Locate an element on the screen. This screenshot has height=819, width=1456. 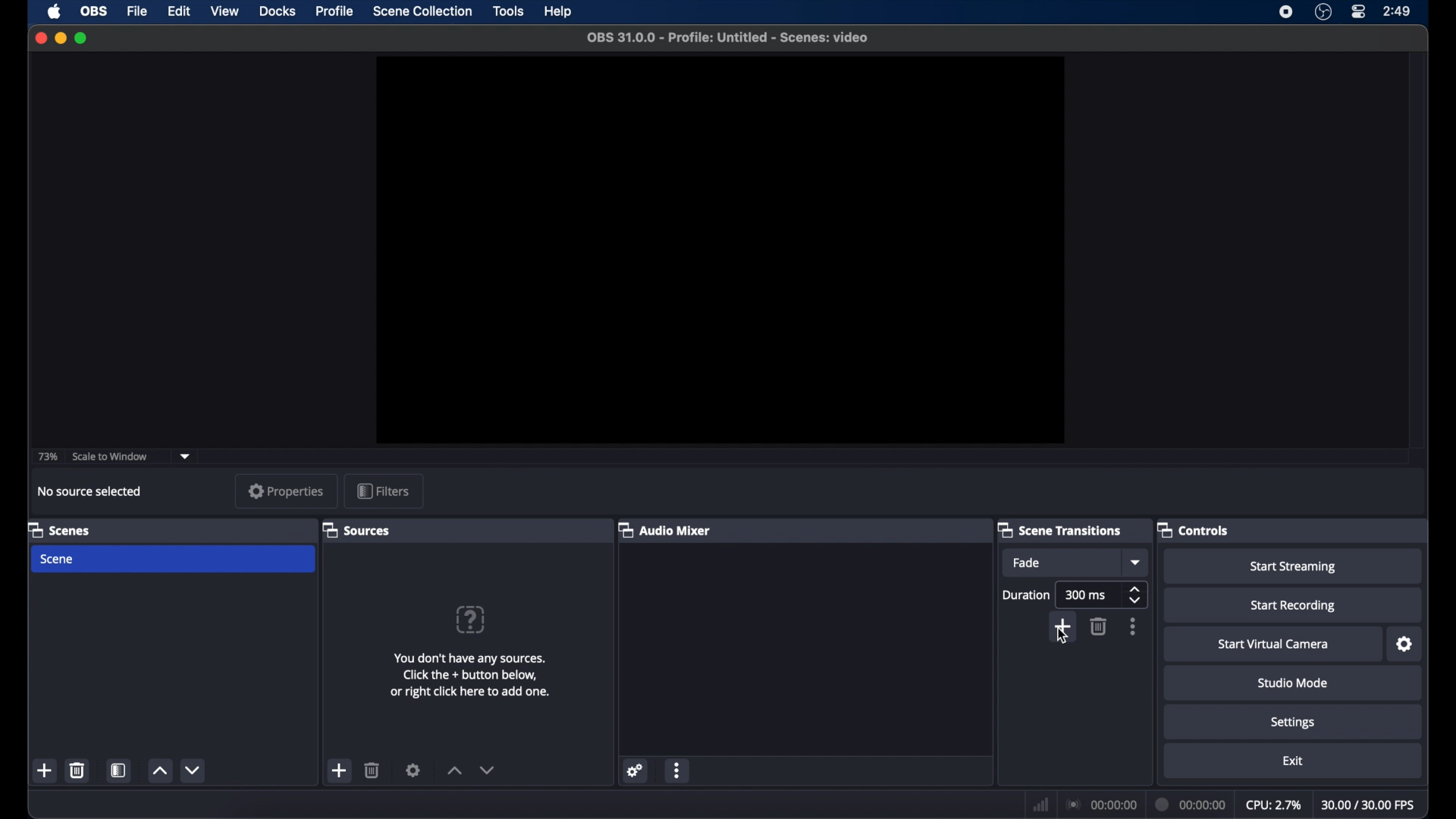
audio mixer is located at coordinates (665, 529).